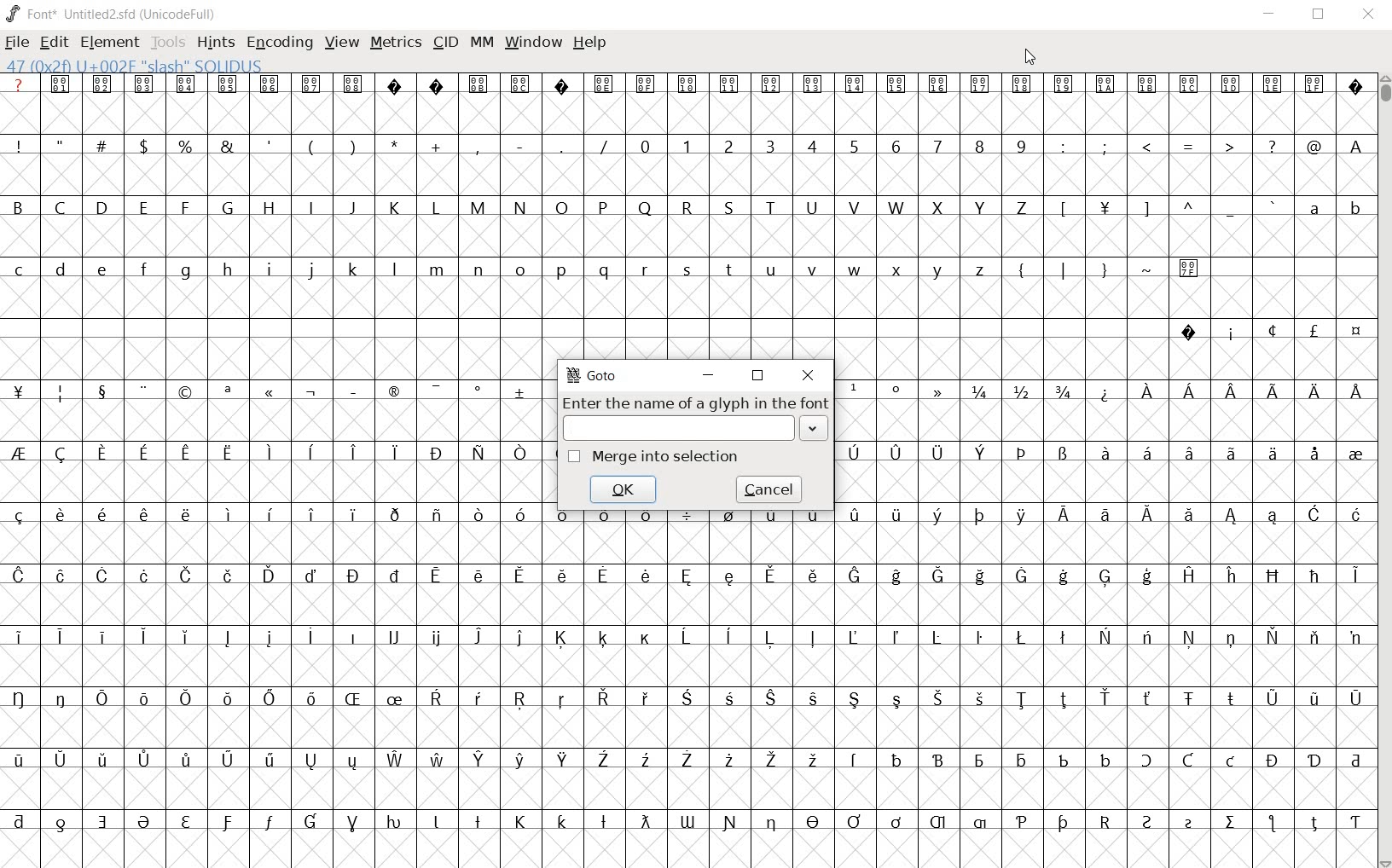 The width and height of the screenshot is (1392, 868). Describe the element at coordinates (691, 542) in the screenshot. I see `empty cells` at that location.